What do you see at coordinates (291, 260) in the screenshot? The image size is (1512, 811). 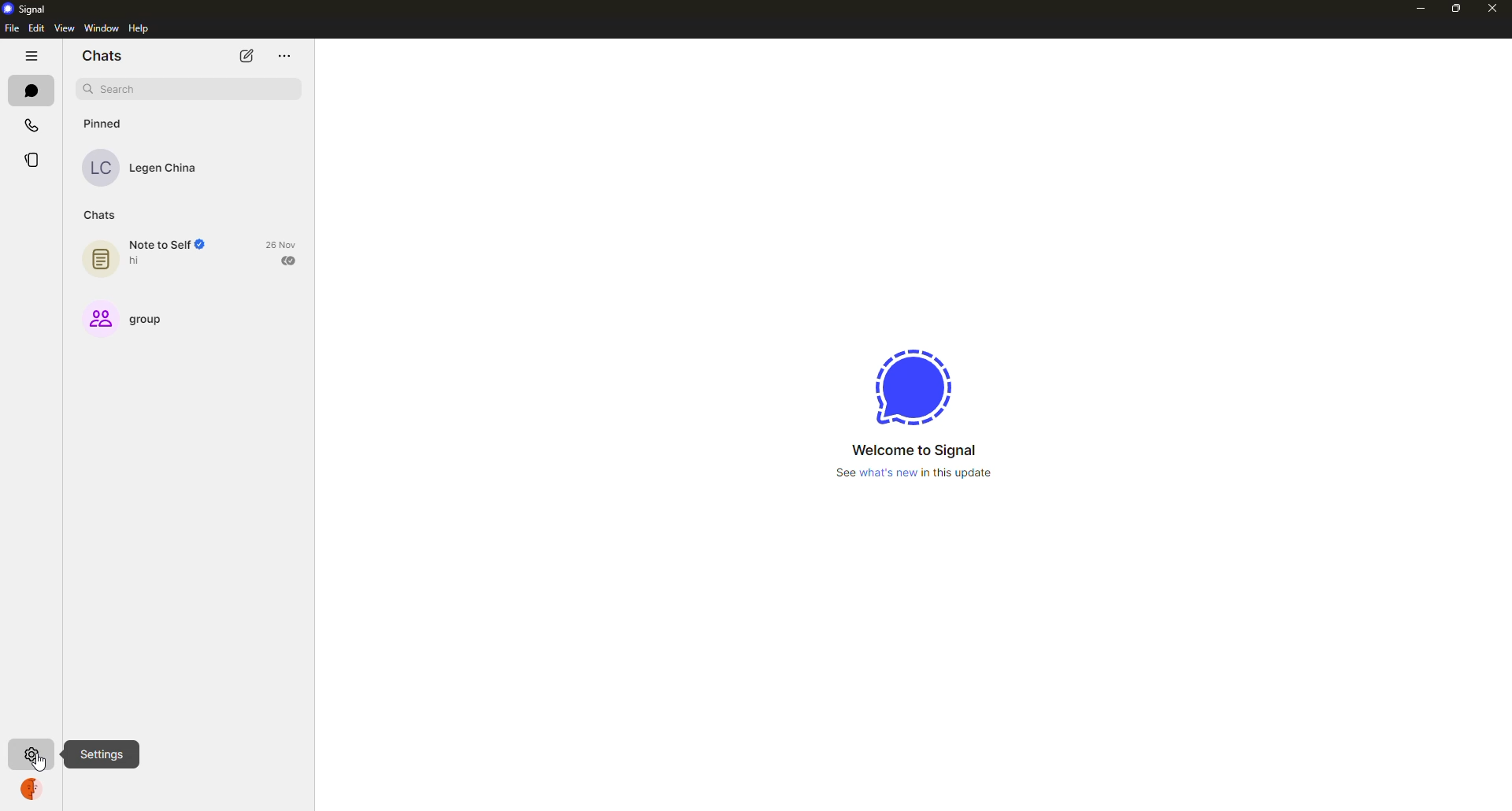 I see `sent` at bounding box center [291, 260].